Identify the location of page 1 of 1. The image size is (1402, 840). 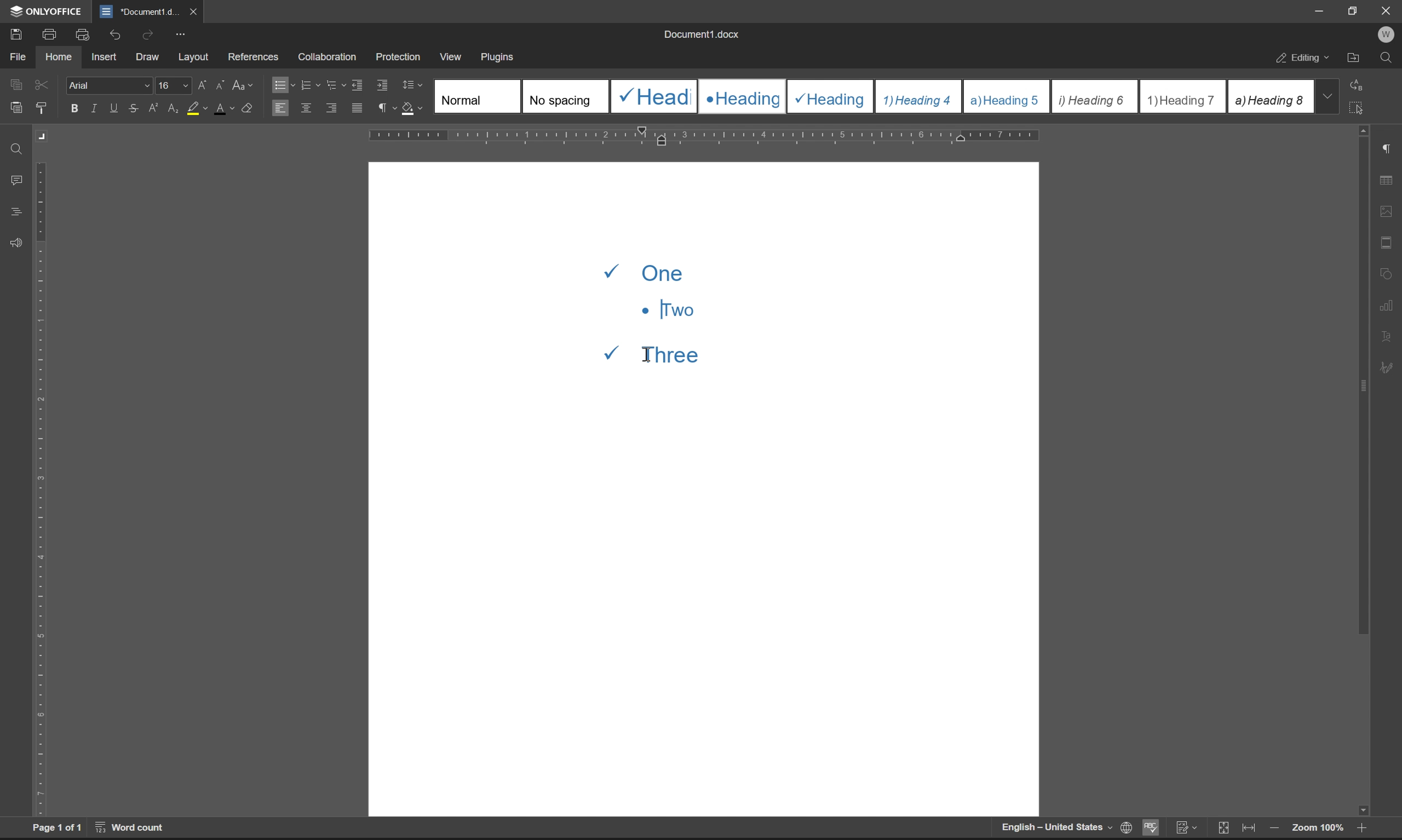
(57, 828).